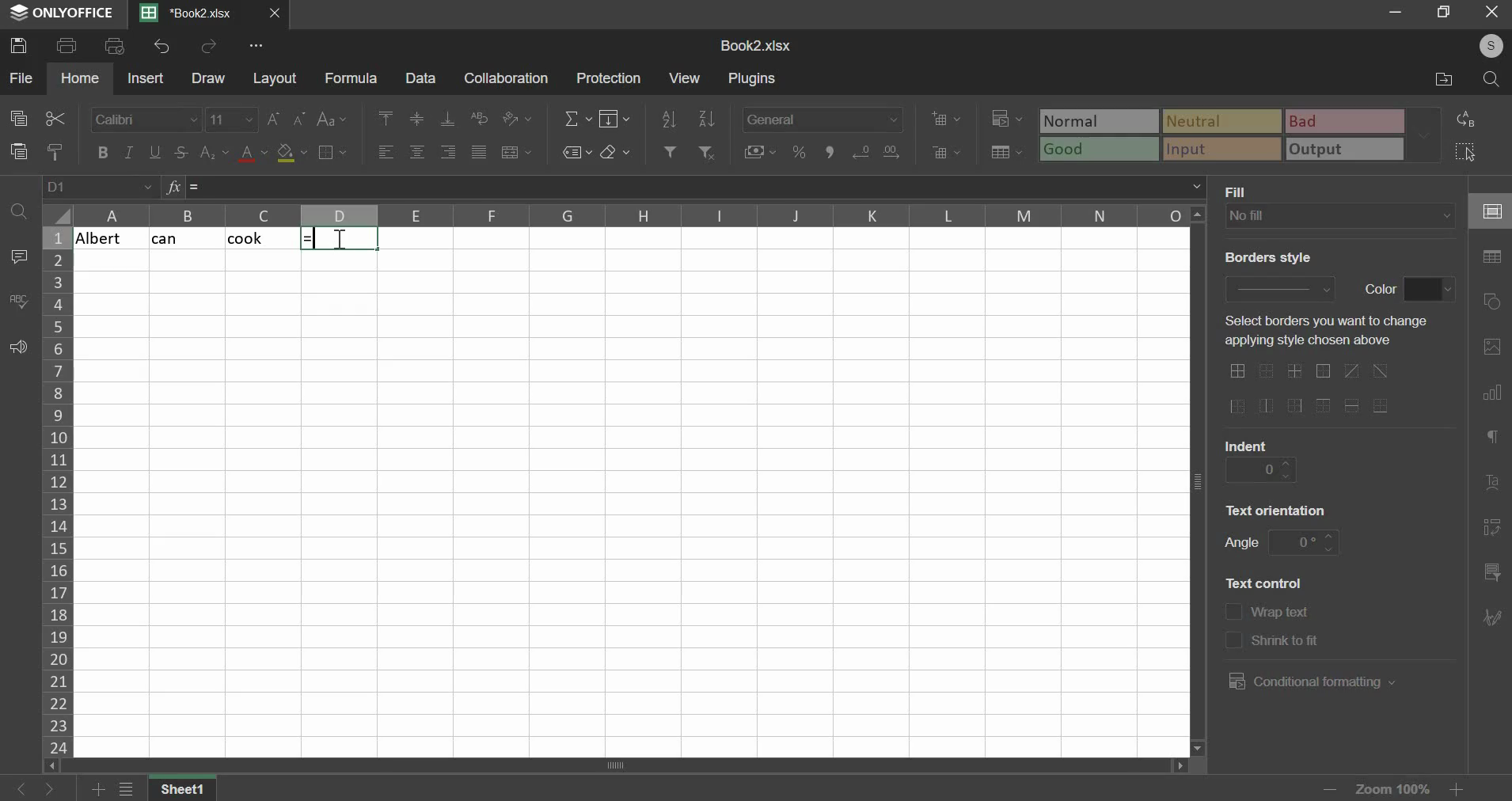 The width and height of the screenshot is (1512, 801). I want to click on shapes, so click(1495, 302).